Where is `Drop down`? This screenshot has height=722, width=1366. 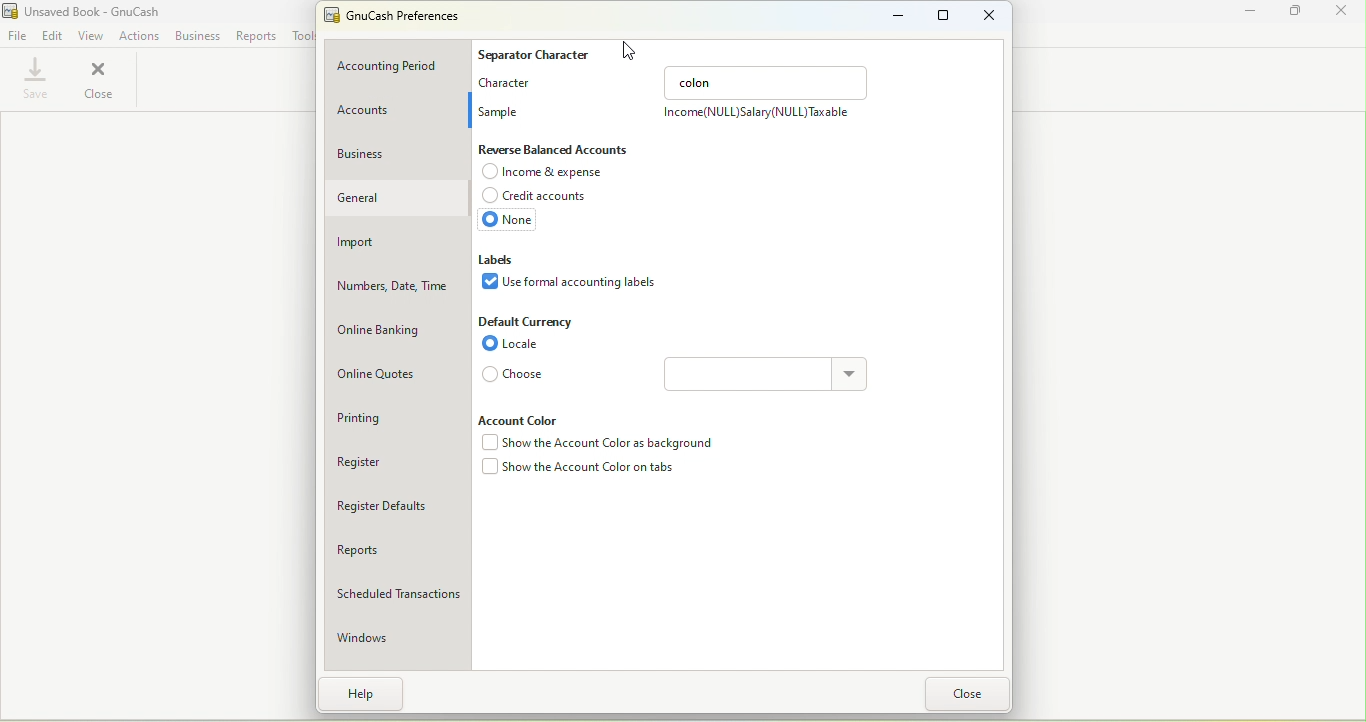 Drop down is located at coordinates (847, 375).